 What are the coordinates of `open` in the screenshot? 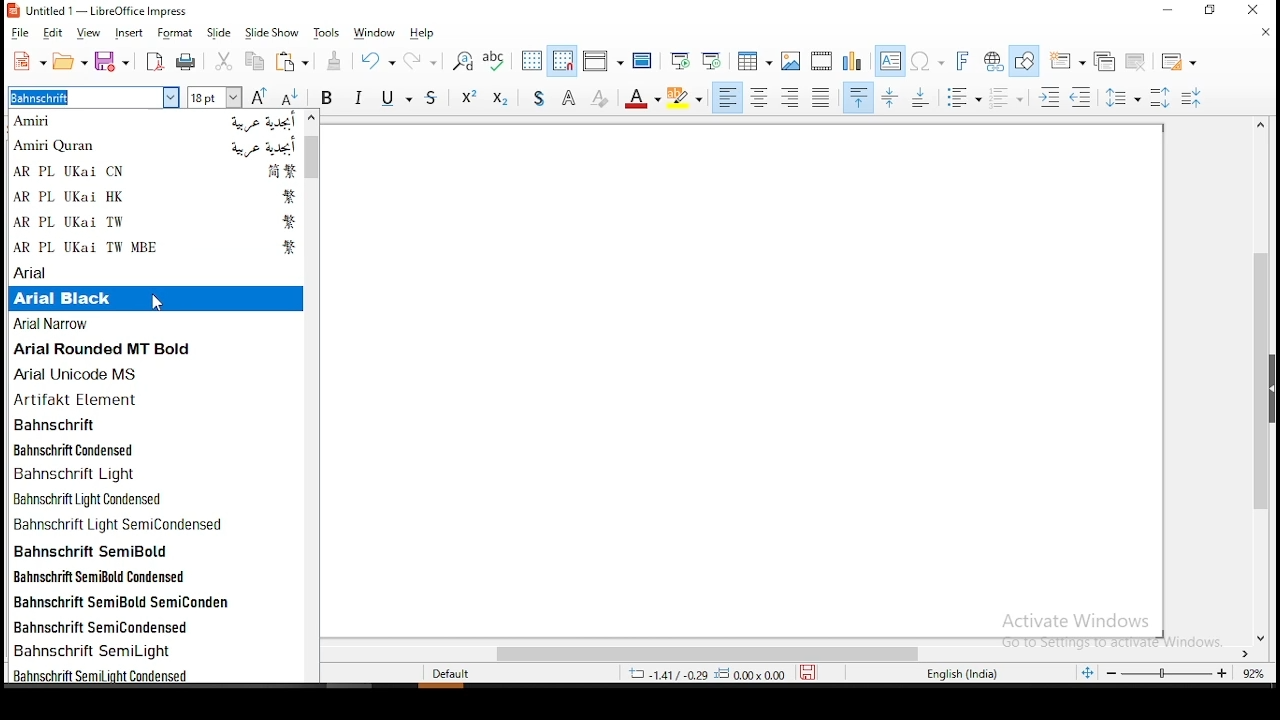 It's located at (71, 60).